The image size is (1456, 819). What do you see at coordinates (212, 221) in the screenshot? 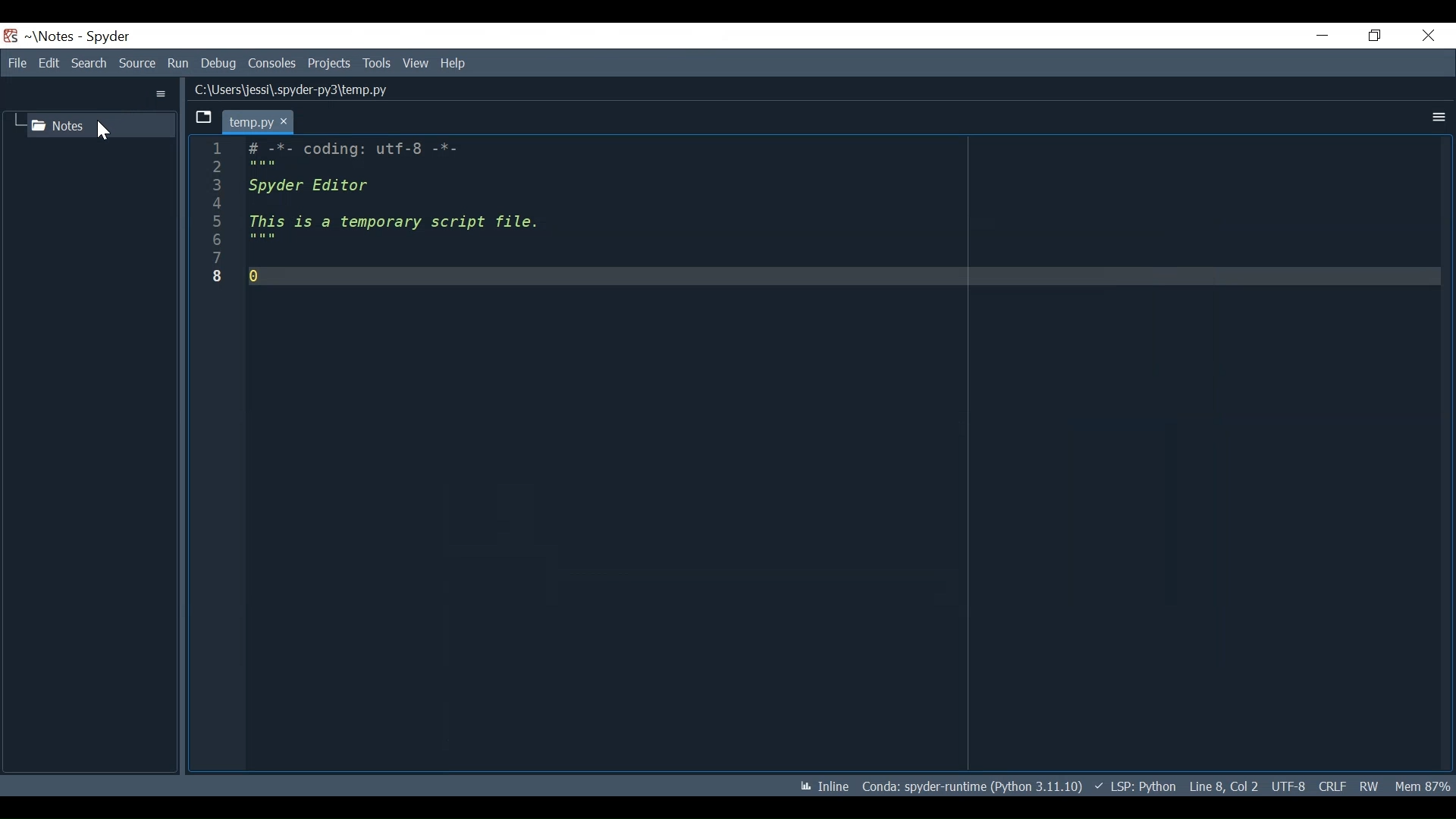
I see `5` at bounding box center [212, 221].